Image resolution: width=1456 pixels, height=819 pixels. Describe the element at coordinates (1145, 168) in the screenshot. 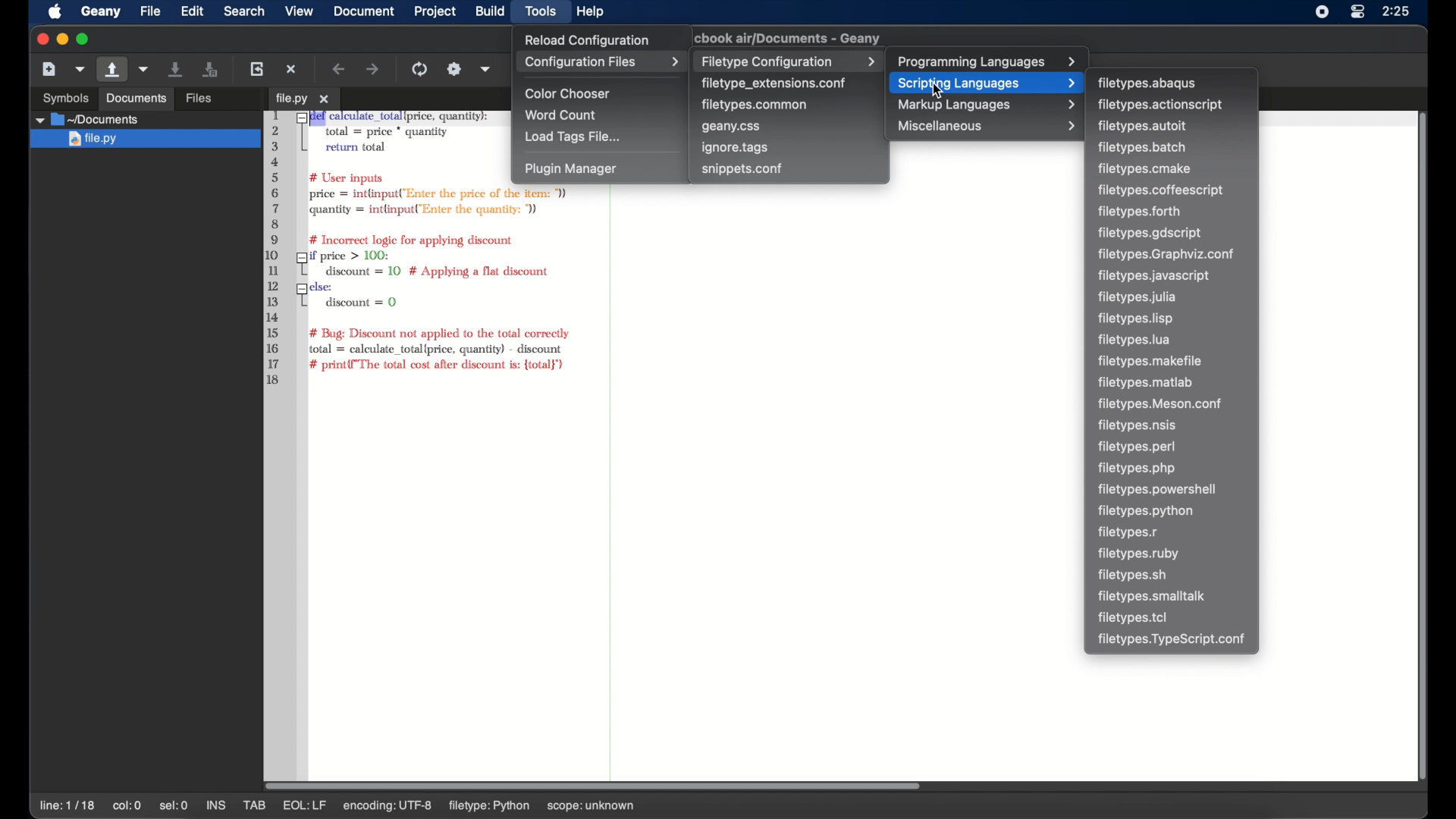

I see `filetypes` at that location.